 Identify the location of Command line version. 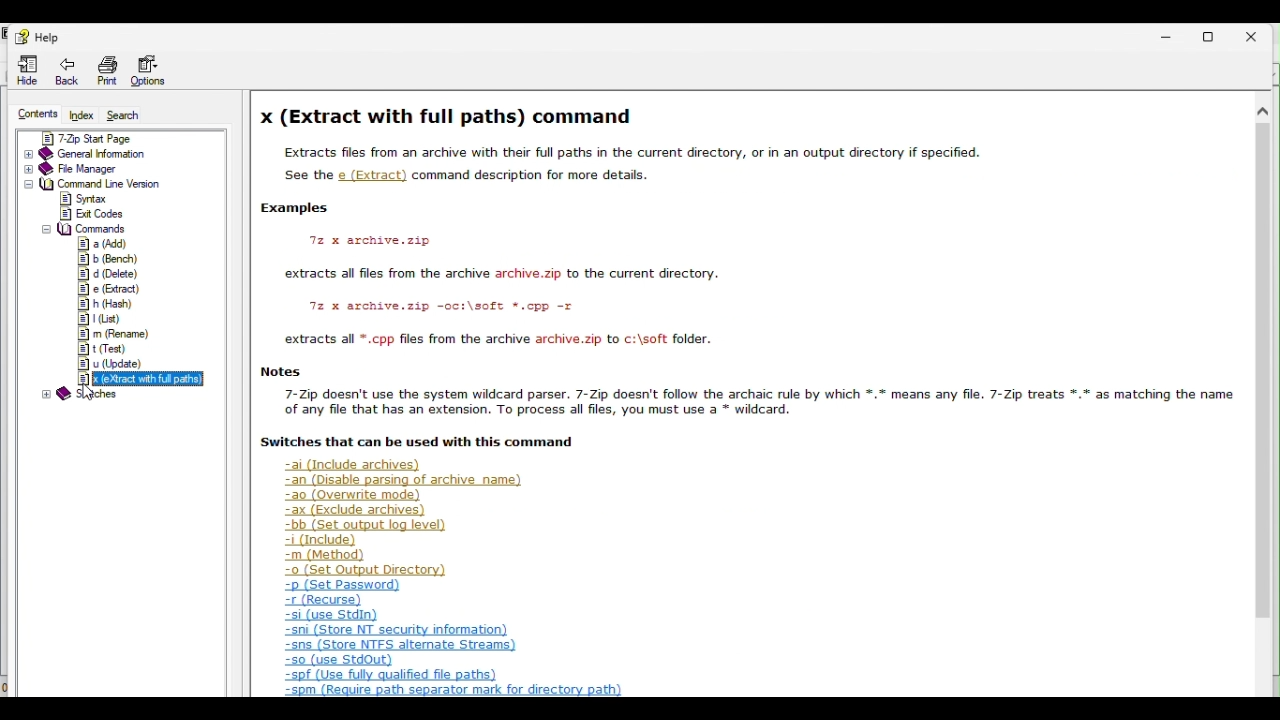
(106, 185).